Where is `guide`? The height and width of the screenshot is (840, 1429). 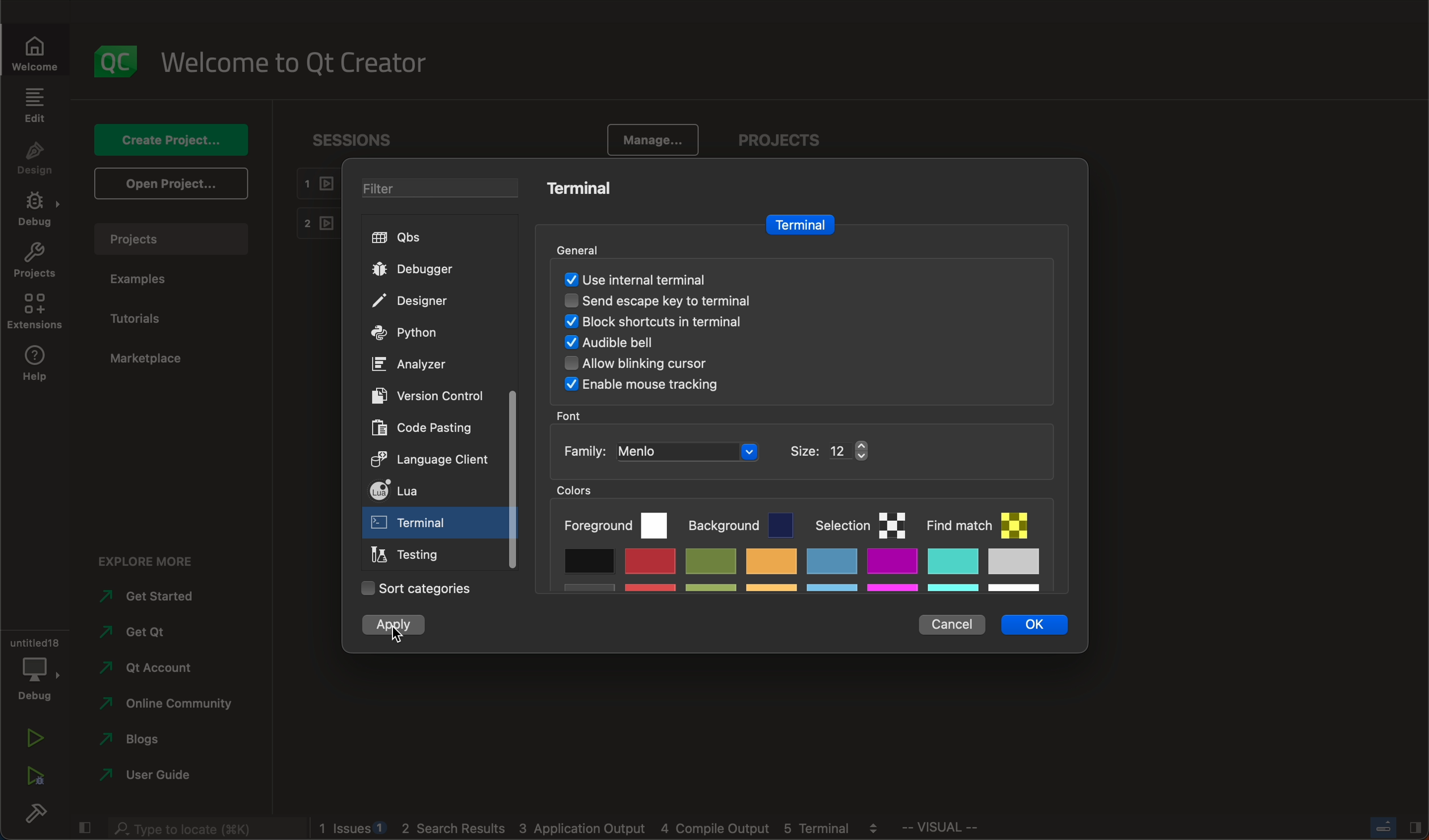 guide is located at coordinates (151, 773).